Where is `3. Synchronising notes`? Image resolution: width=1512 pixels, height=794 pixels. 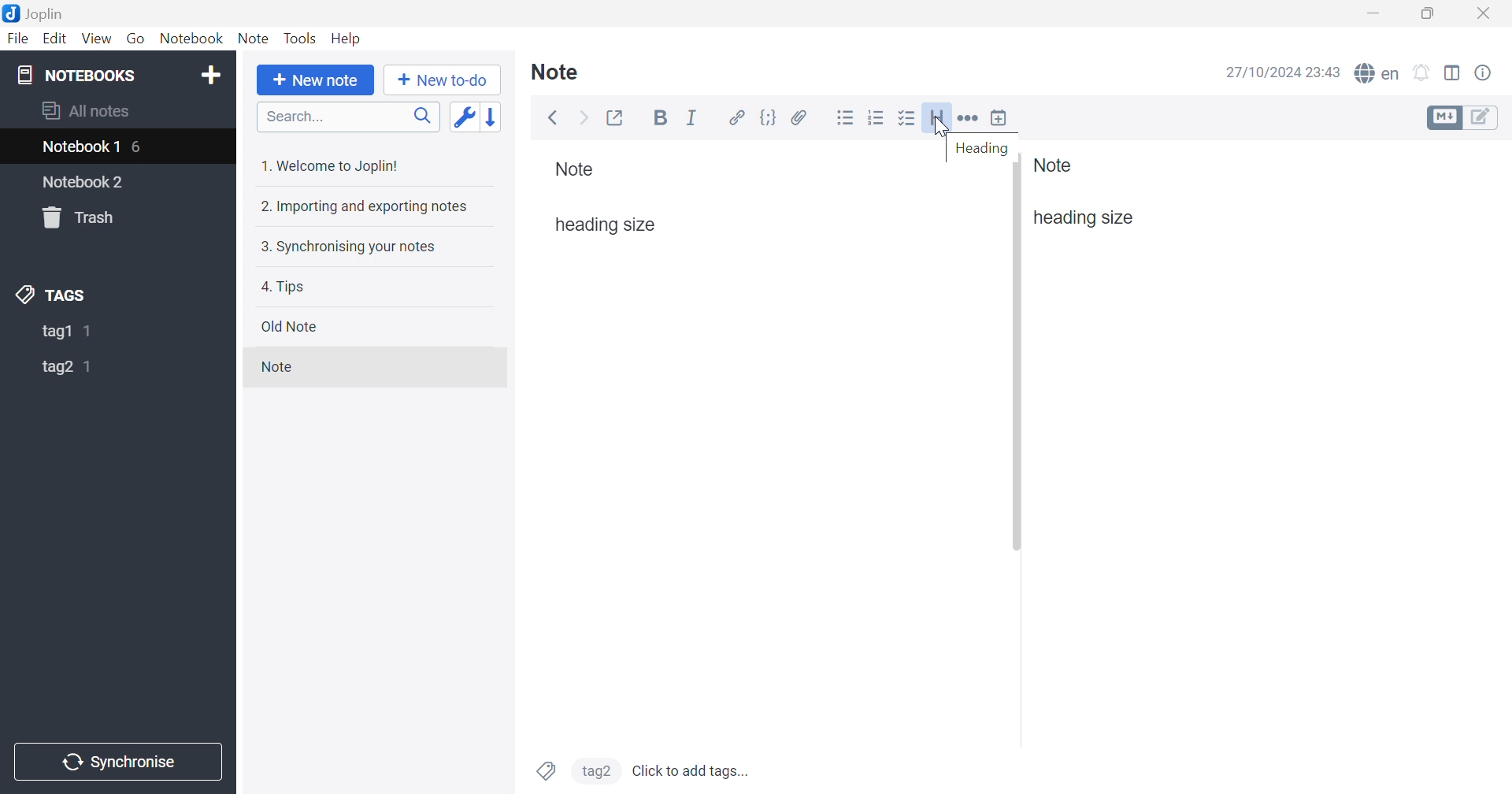 3. Synchronising notes is located at coordinates (348, 248).